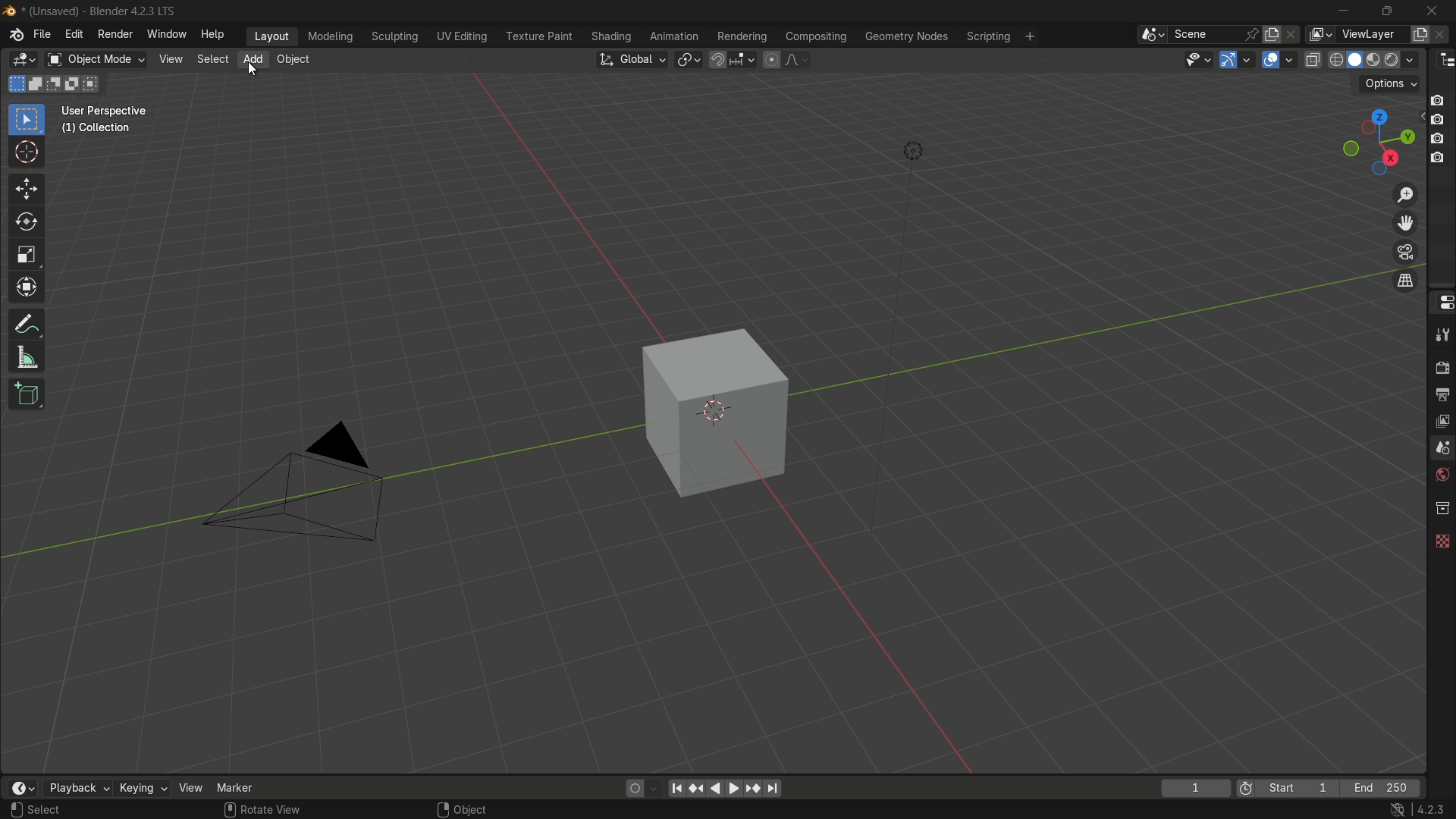 This screenshot has height=819, width=1456. I want to click on add new layer, so click(1420, 36).